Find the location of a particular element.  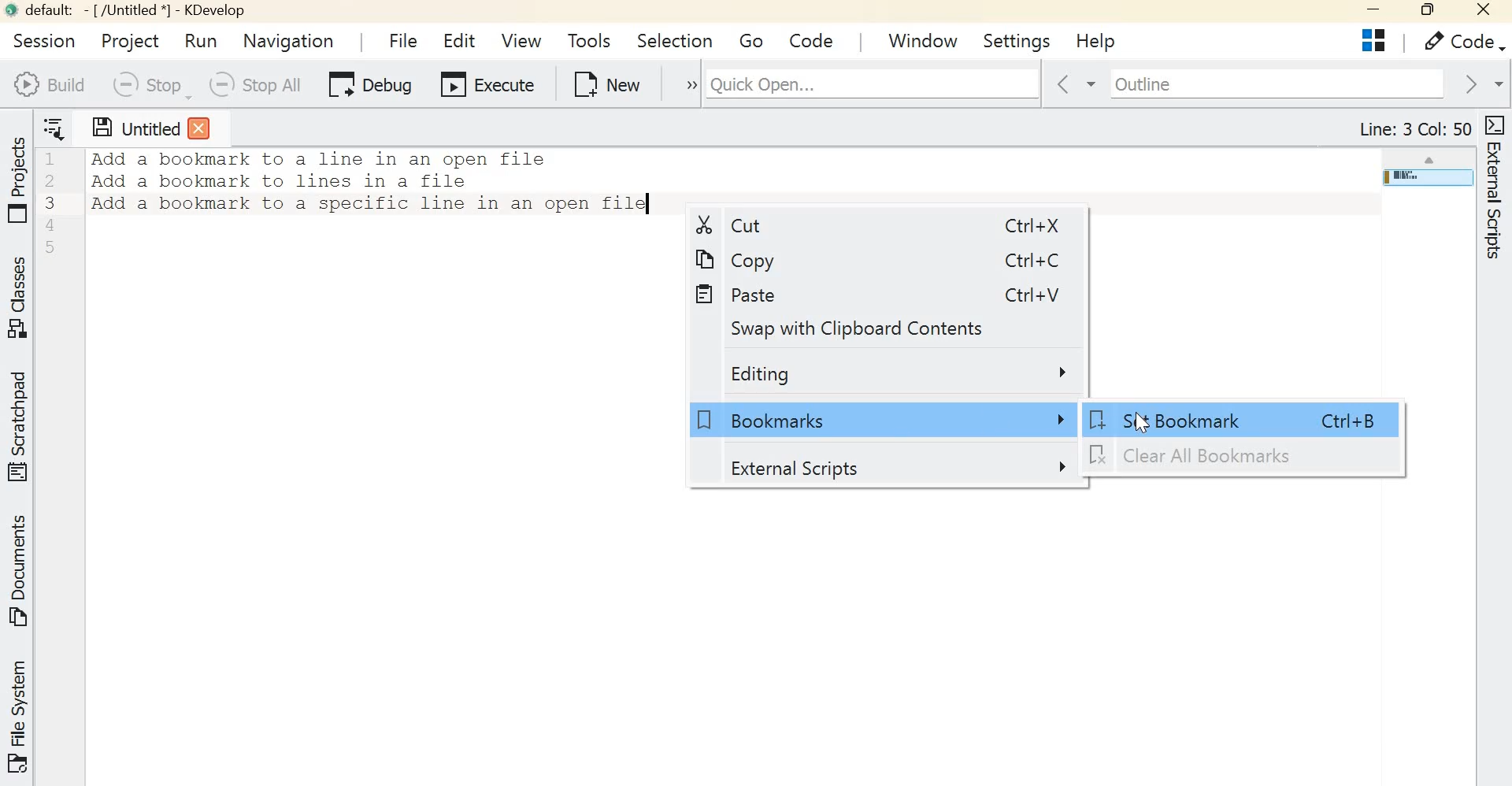

Outline is located at coordinates (1274, 83).